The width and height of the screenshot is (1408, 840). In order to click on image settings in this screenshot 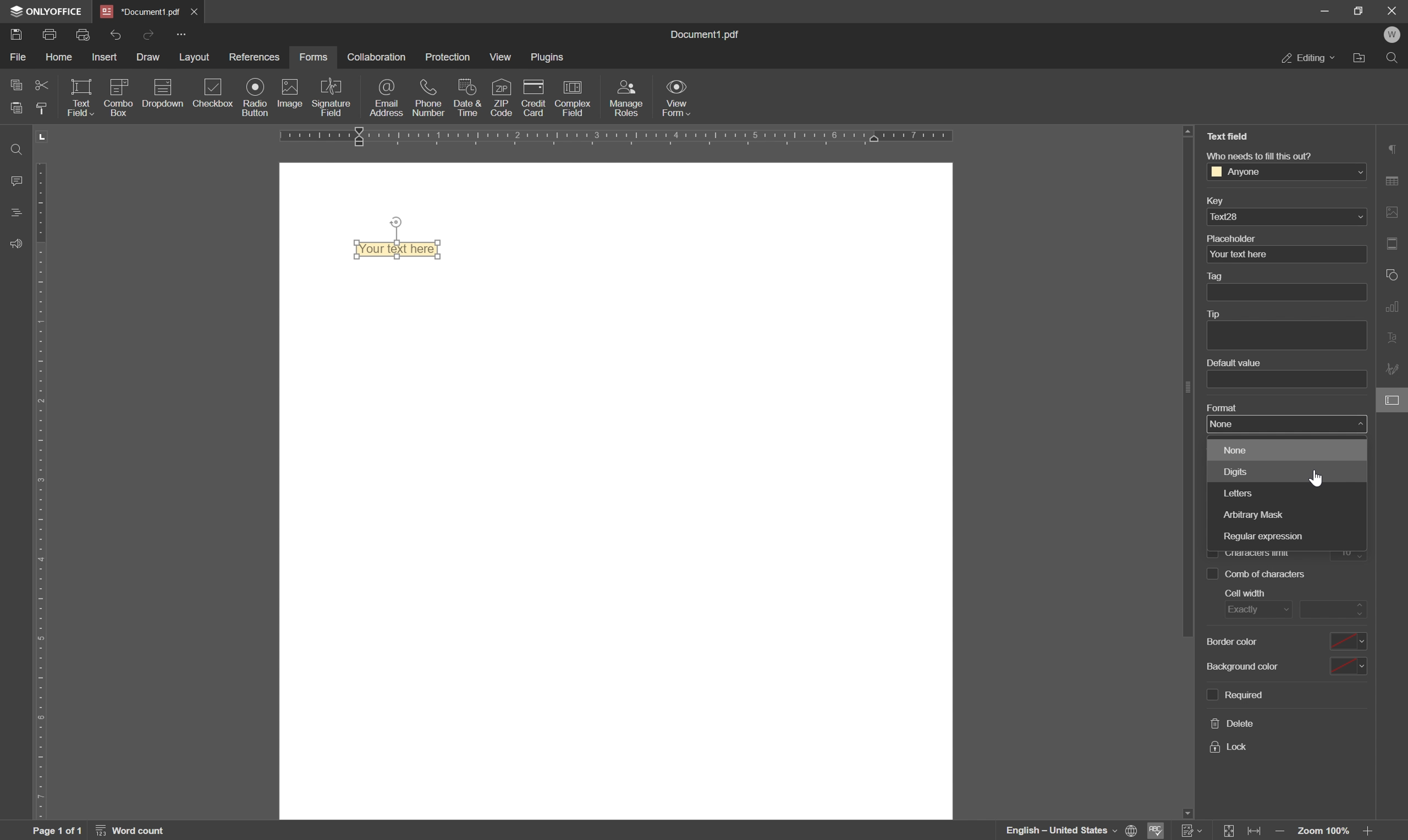, I will do `click(1395, 213)`.